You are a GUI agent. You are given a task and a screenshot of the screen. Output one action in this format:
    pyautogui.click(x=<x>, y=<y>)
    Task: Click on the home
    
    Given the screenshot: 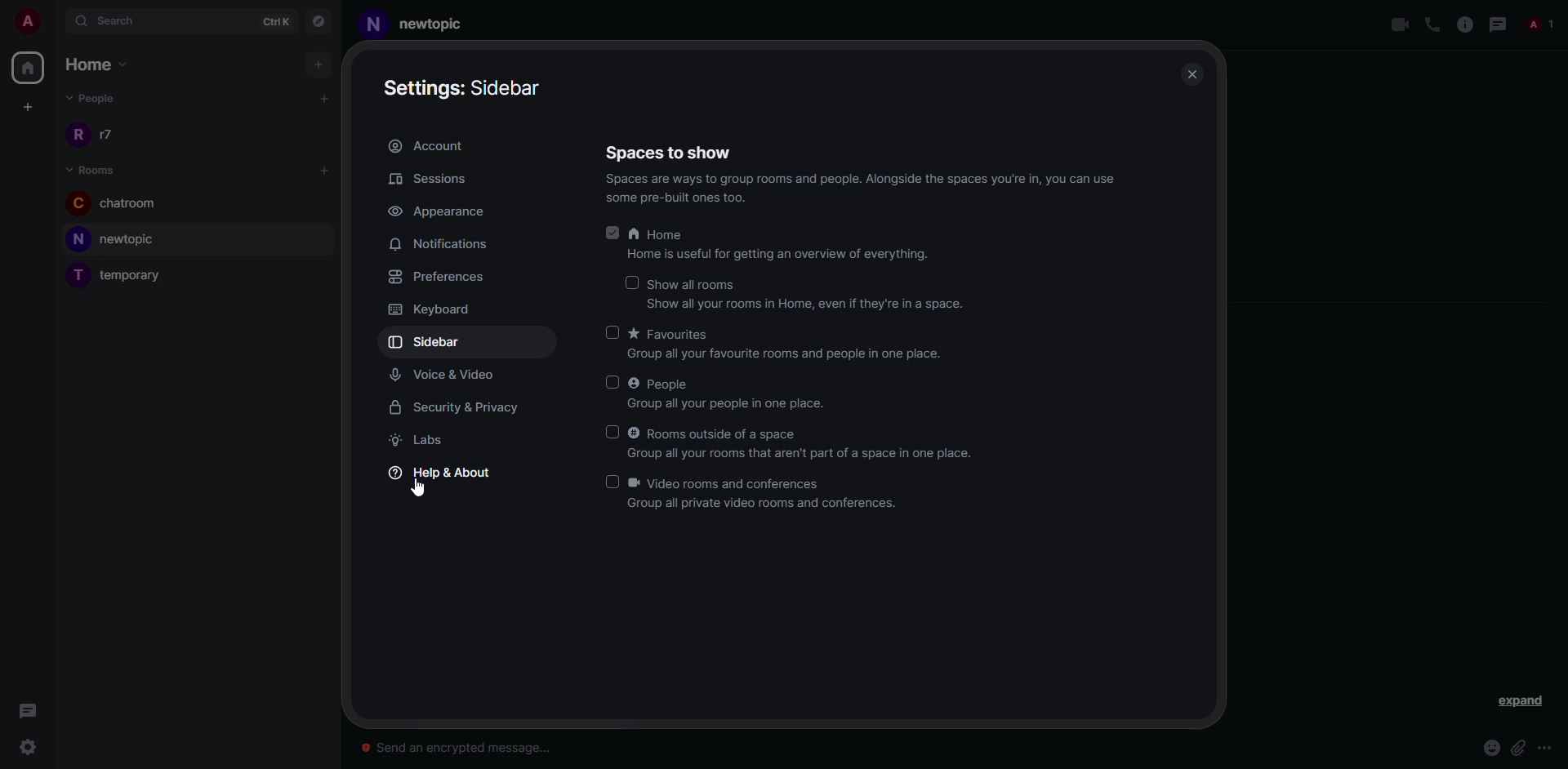 What is the action you would take?
    pyautogui.click(x=27, y=68)
    